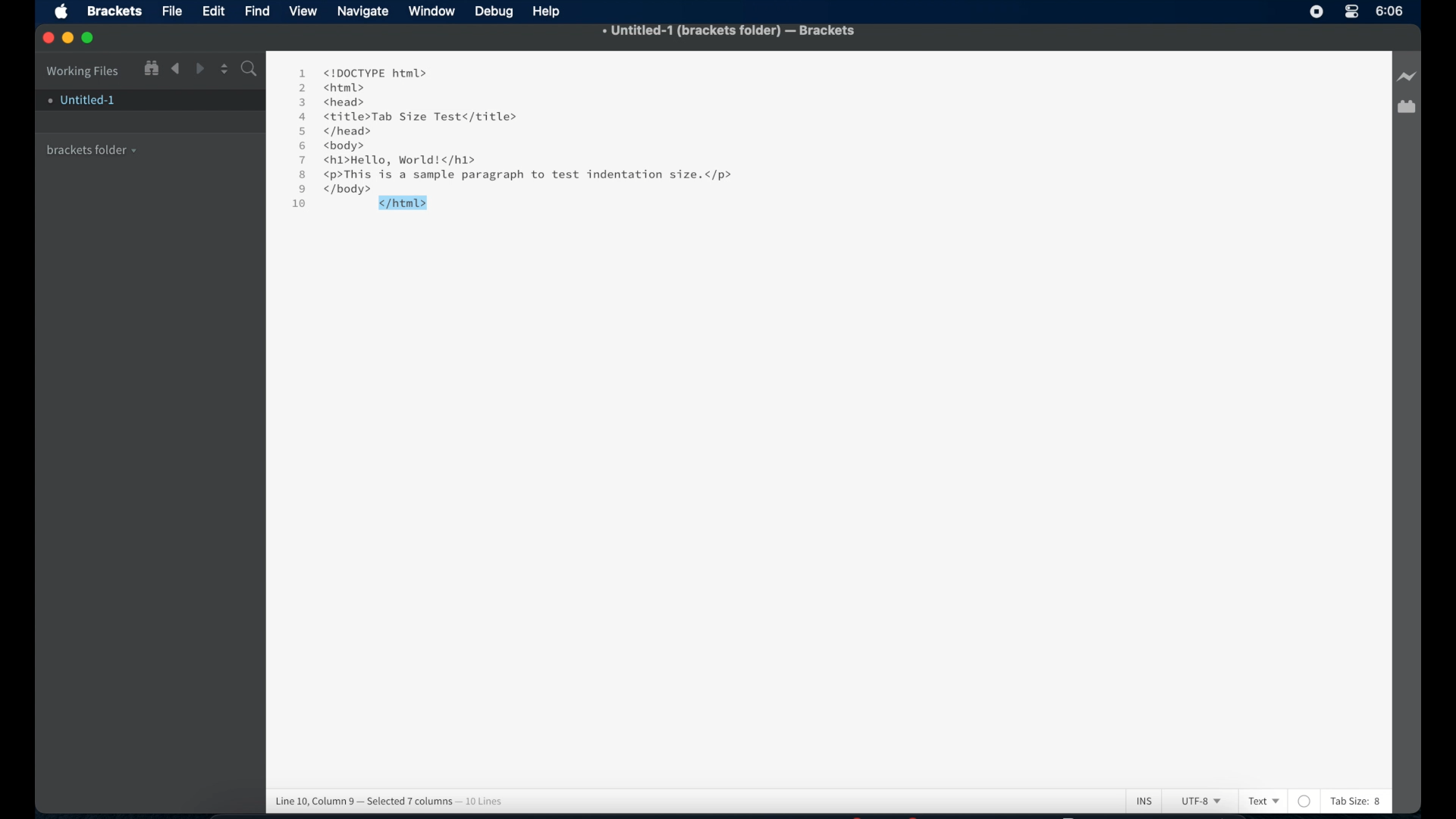  I want to click on Line 10, Column 9-Selected 7 columns-10 Lines, so click(394, 799).